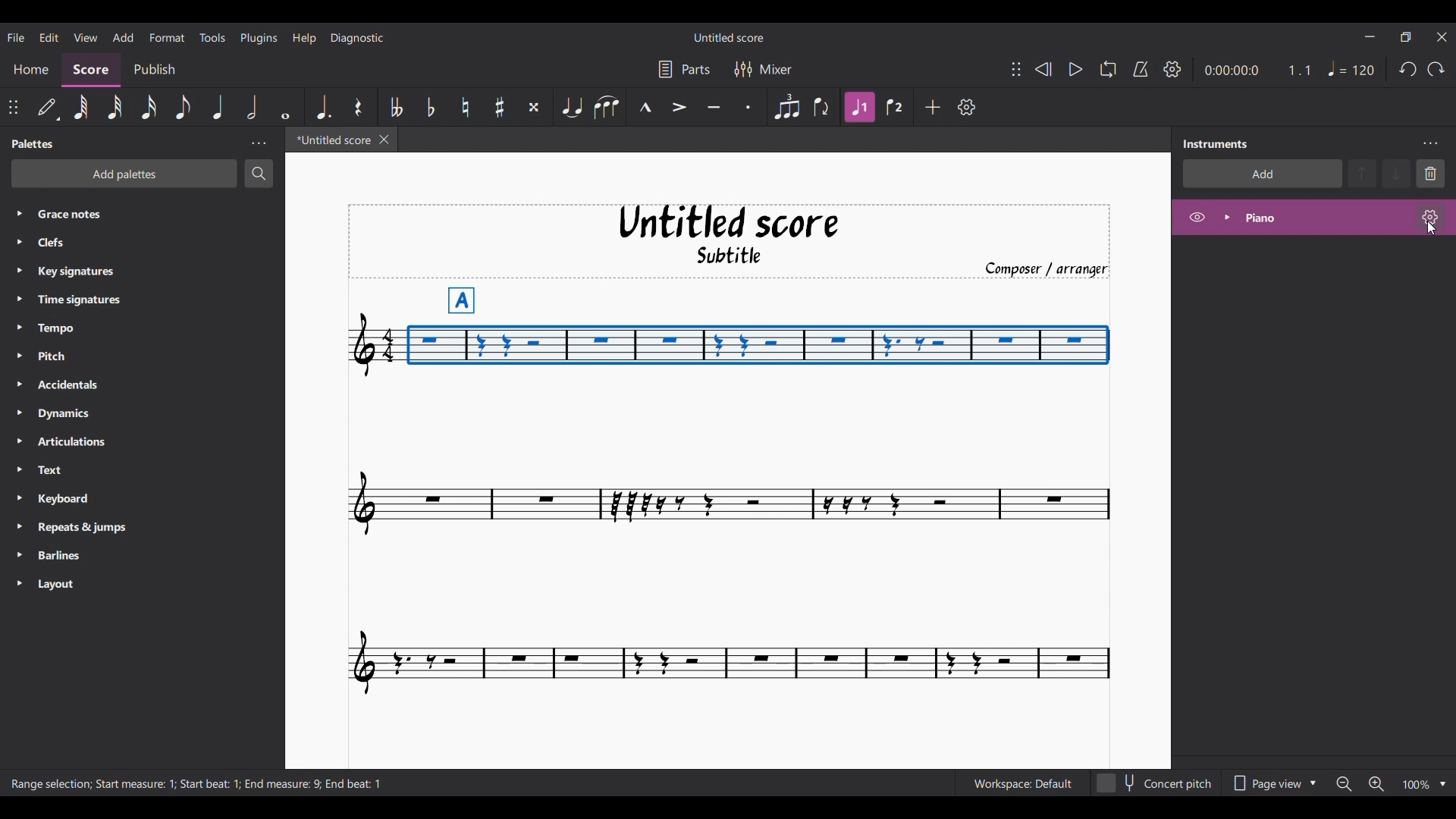  What do you see at coordinates (729, 222) in the screenshot?
I see `Untitled score` at bounding box center [729, 222].